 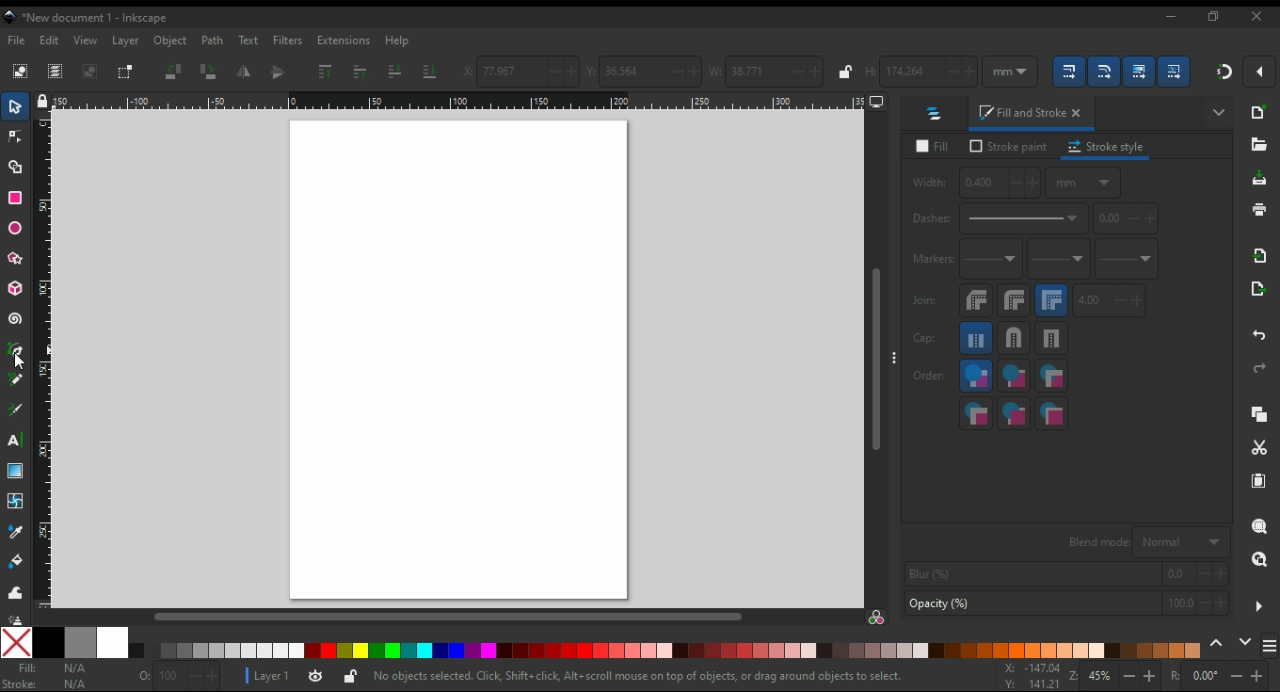 I want to click on black, so click(x=47, y=642).